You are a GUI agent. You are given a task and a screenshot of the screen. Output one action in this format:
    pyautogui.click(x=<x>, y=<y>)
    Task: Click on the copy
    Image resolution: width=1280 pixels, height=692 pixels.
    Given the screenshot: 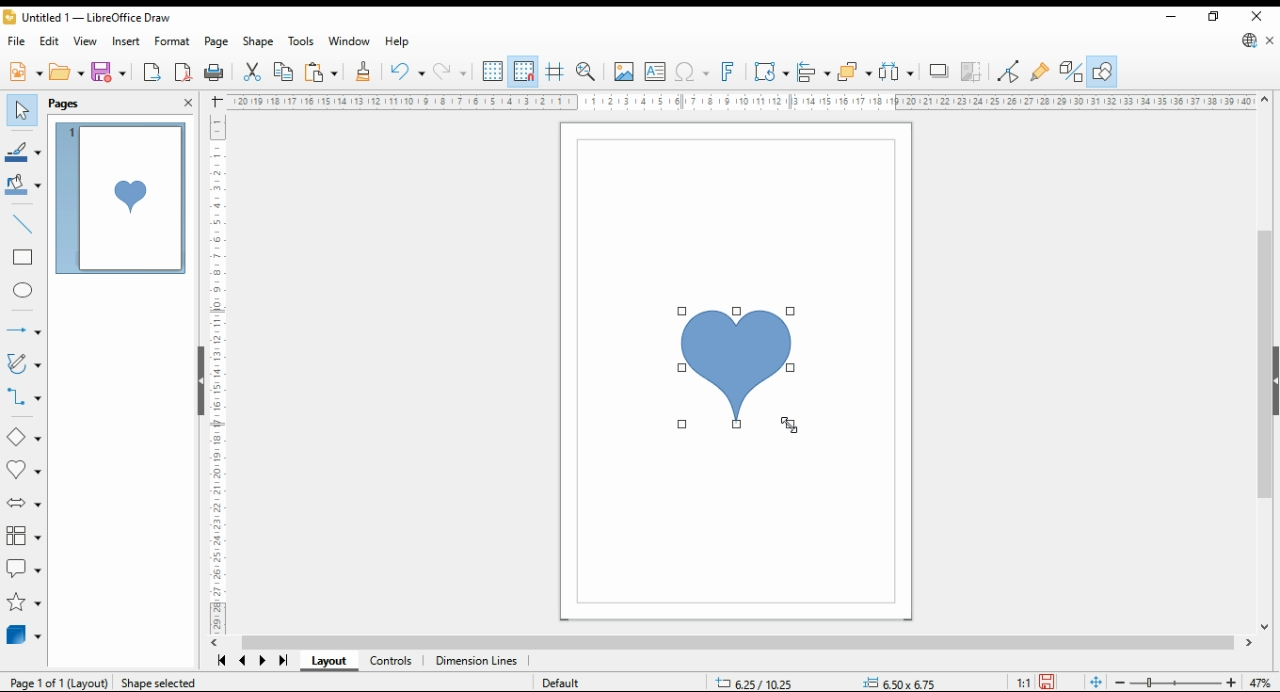 What is the action you would take?
    pyautogui.click(x=283, y=73)
    